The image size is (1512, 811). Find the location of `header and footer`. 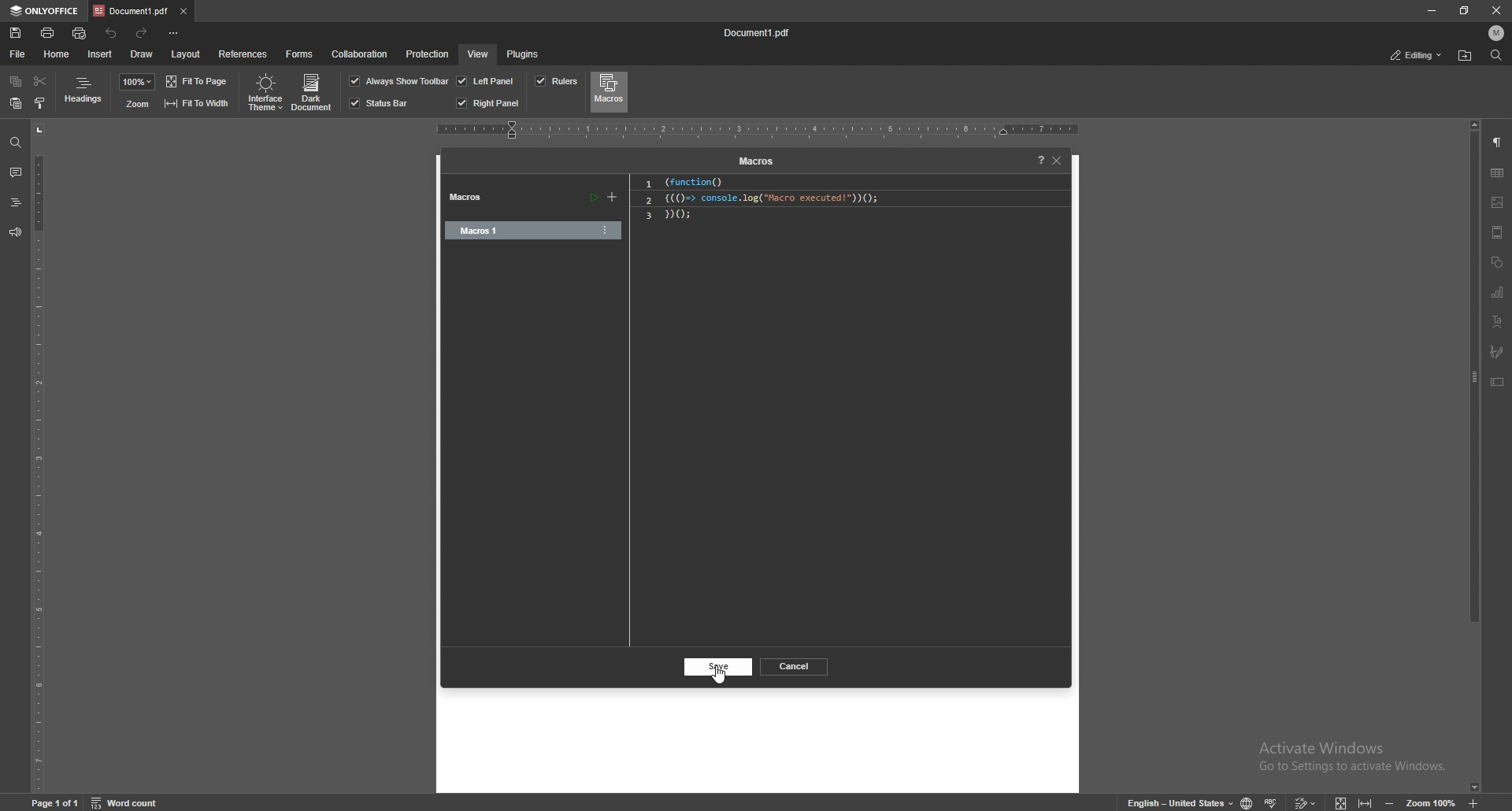

header and footer is located at coordinates (1497, 231).